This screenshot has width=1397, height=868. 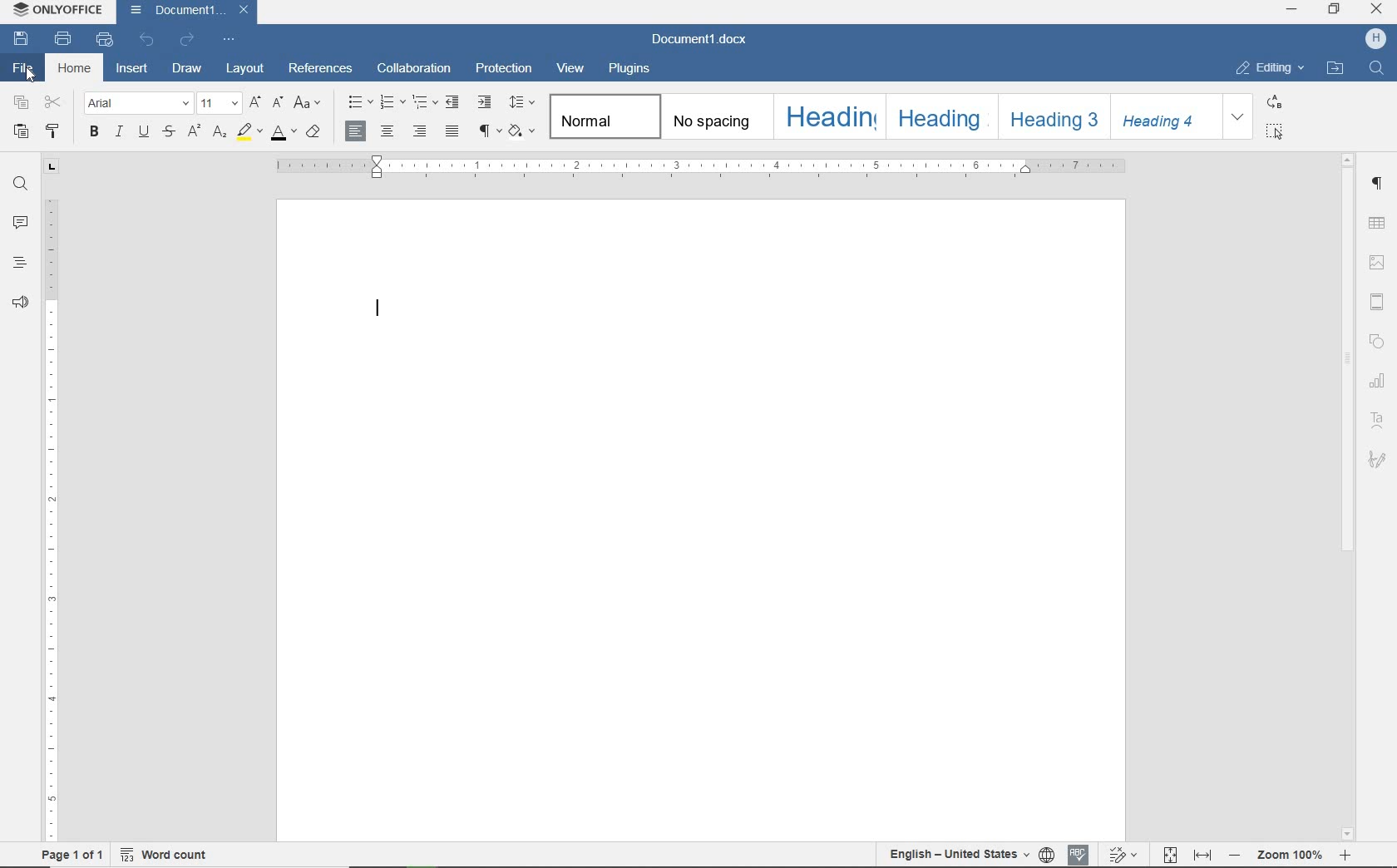 What do you see at coordinates (22, 131) in the screenshot?
I see `paste` at bounding box center [22, 131].